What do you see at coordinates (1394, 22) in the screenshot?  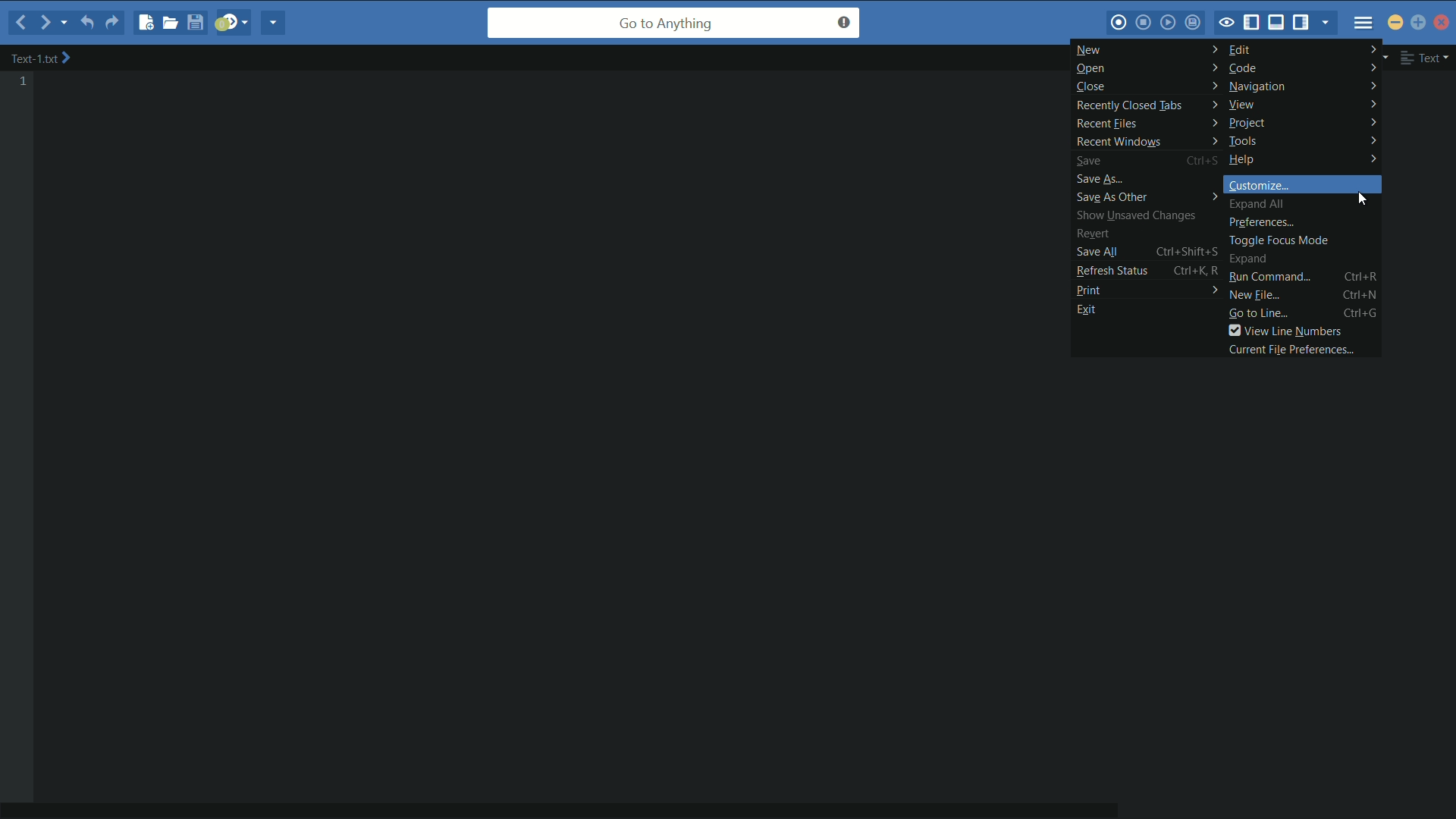 I see `minimize` at bounding box center [1394, 22].